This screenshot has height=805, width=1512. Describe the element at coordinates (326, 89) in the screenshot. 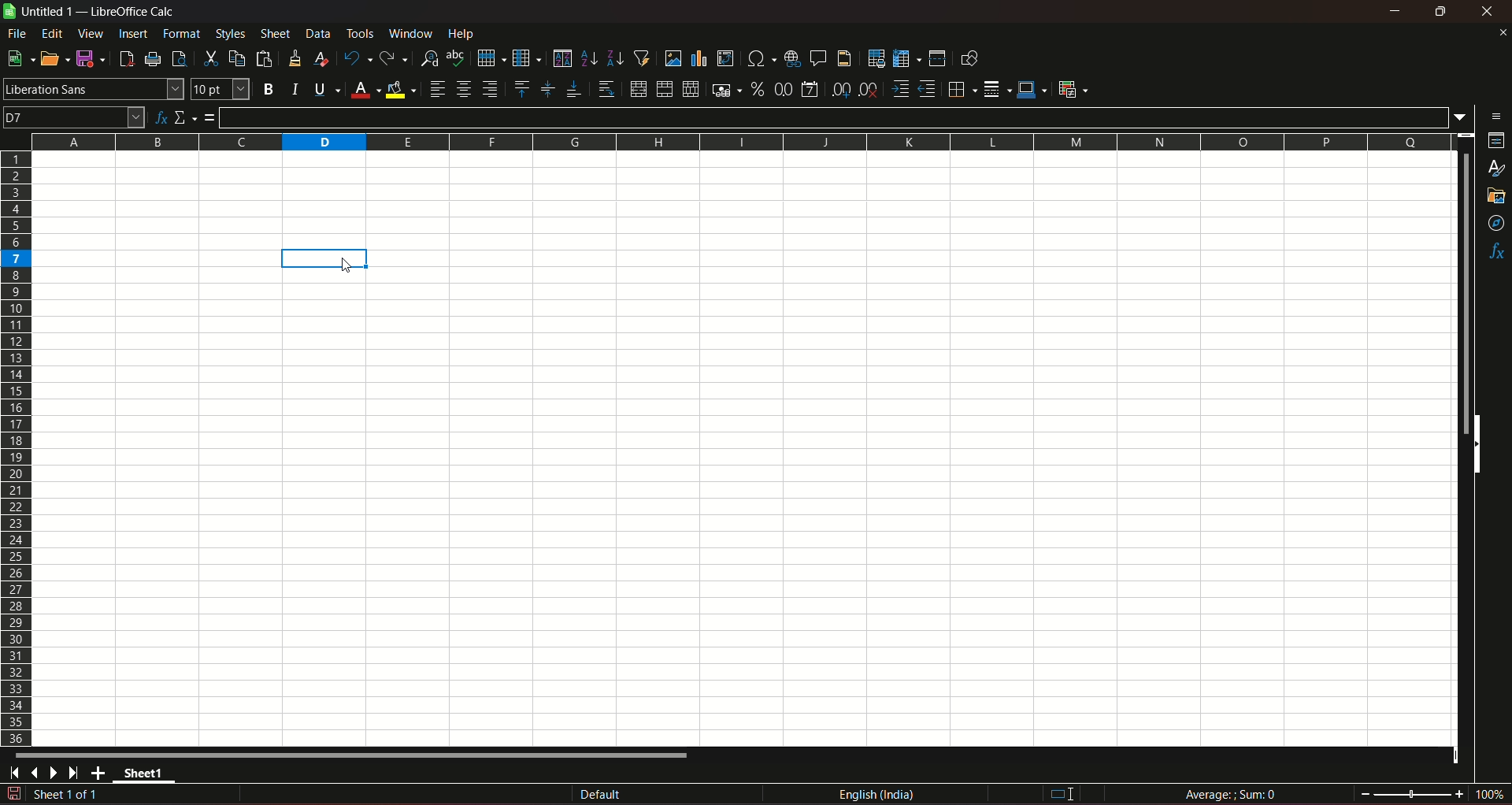

I see `underline` at that location.